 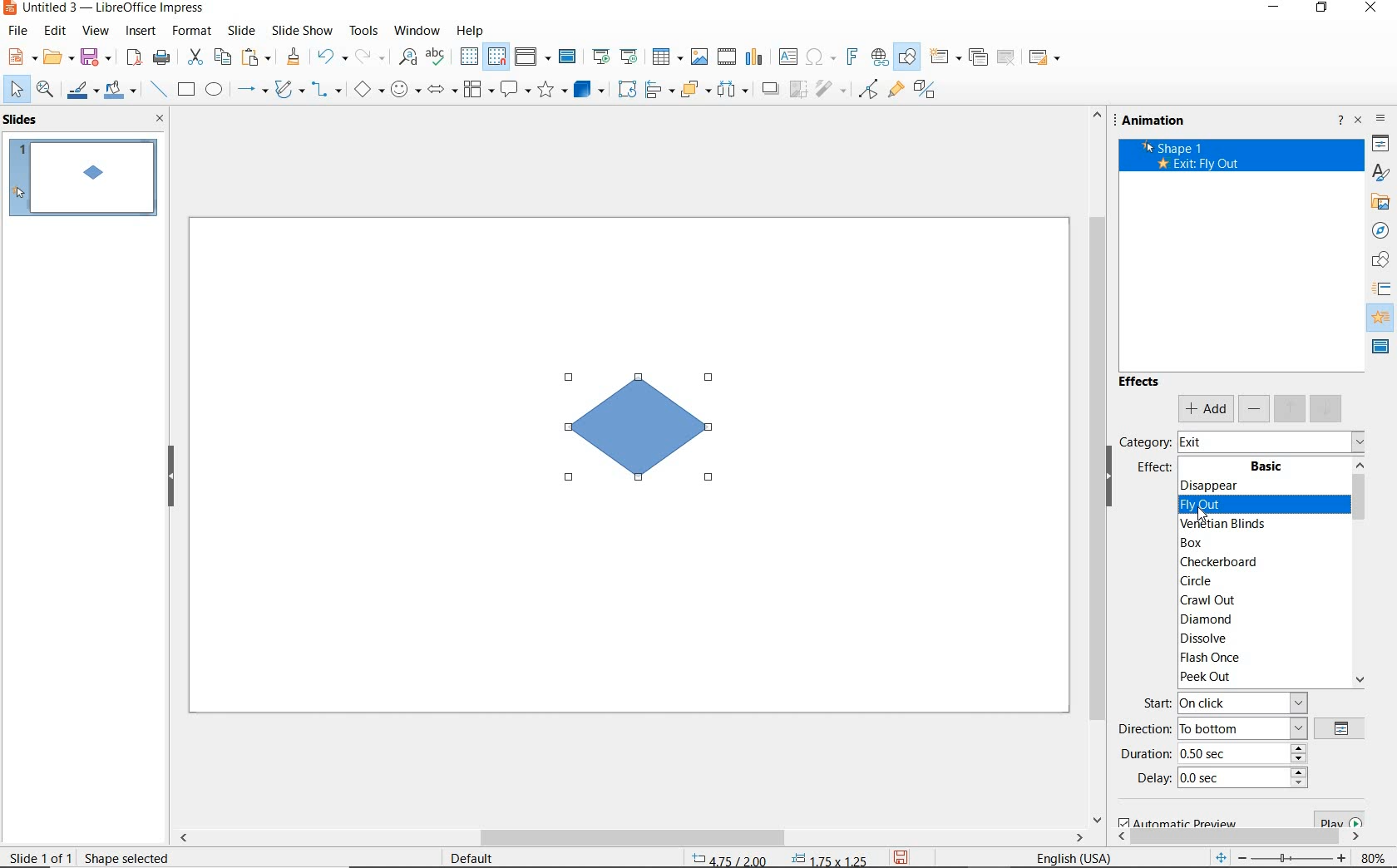 What do you see at coordinates (1380, 348) in the screenshot?
I see `master slide` at bounding box center [1380, 348].